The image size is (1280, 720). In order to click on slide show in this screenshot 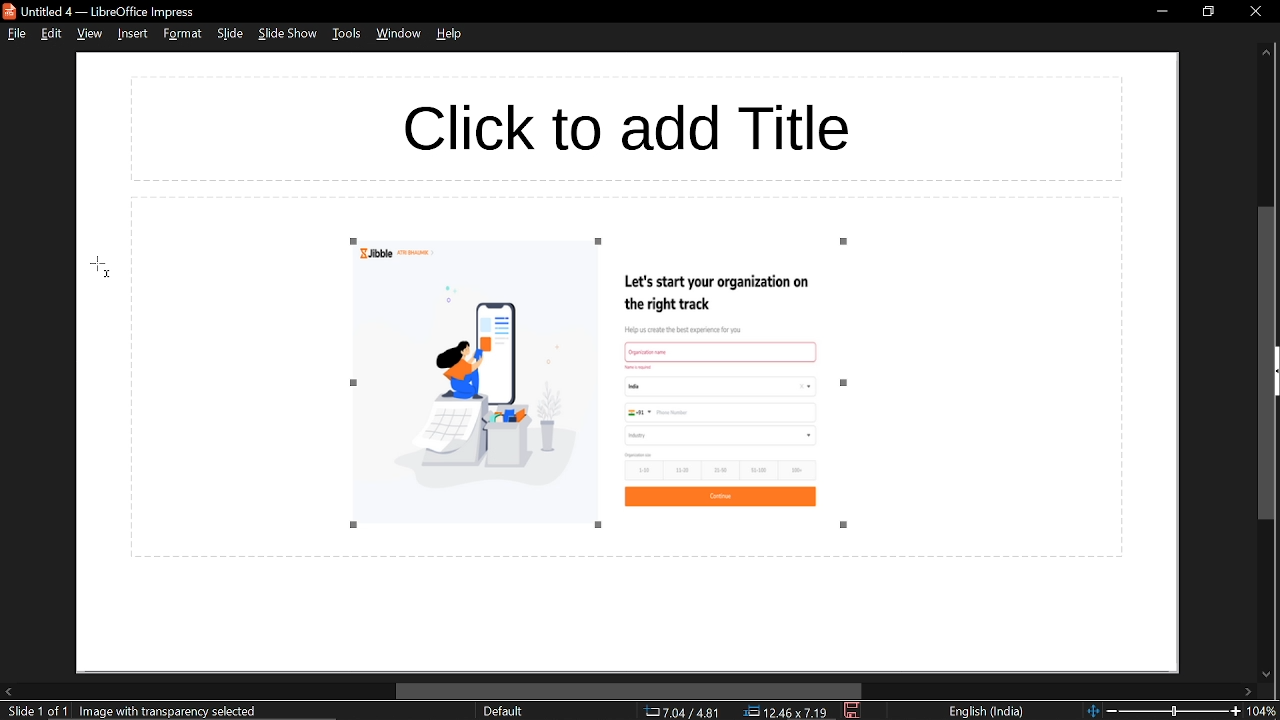, I will do `click(288, 36)`.